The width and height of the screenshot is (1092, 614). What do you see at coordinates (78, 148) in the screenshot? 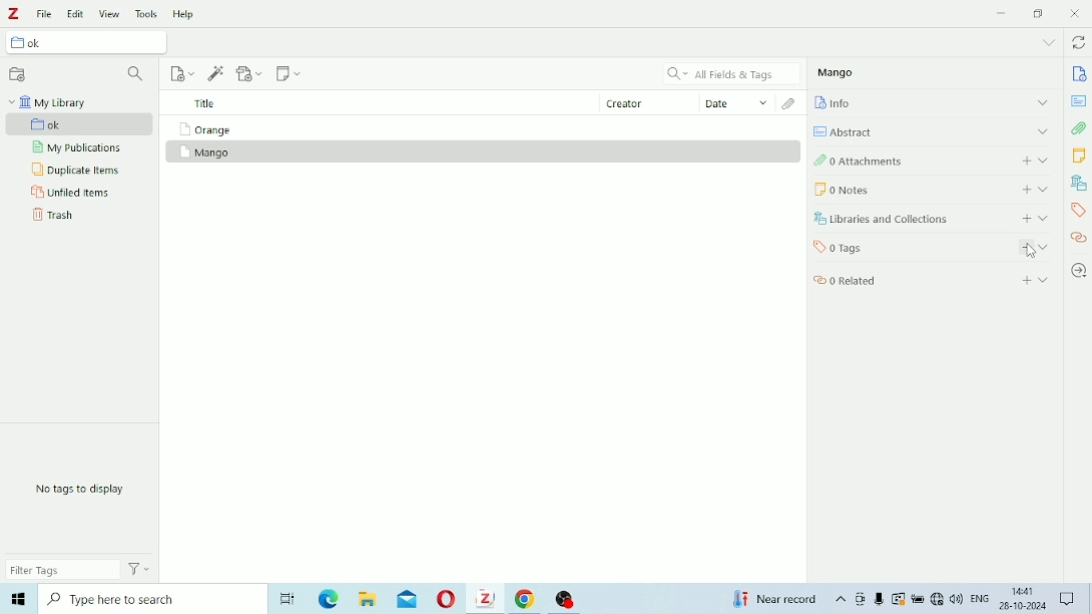
I see `My Publications` at bounding box center [78, 148].